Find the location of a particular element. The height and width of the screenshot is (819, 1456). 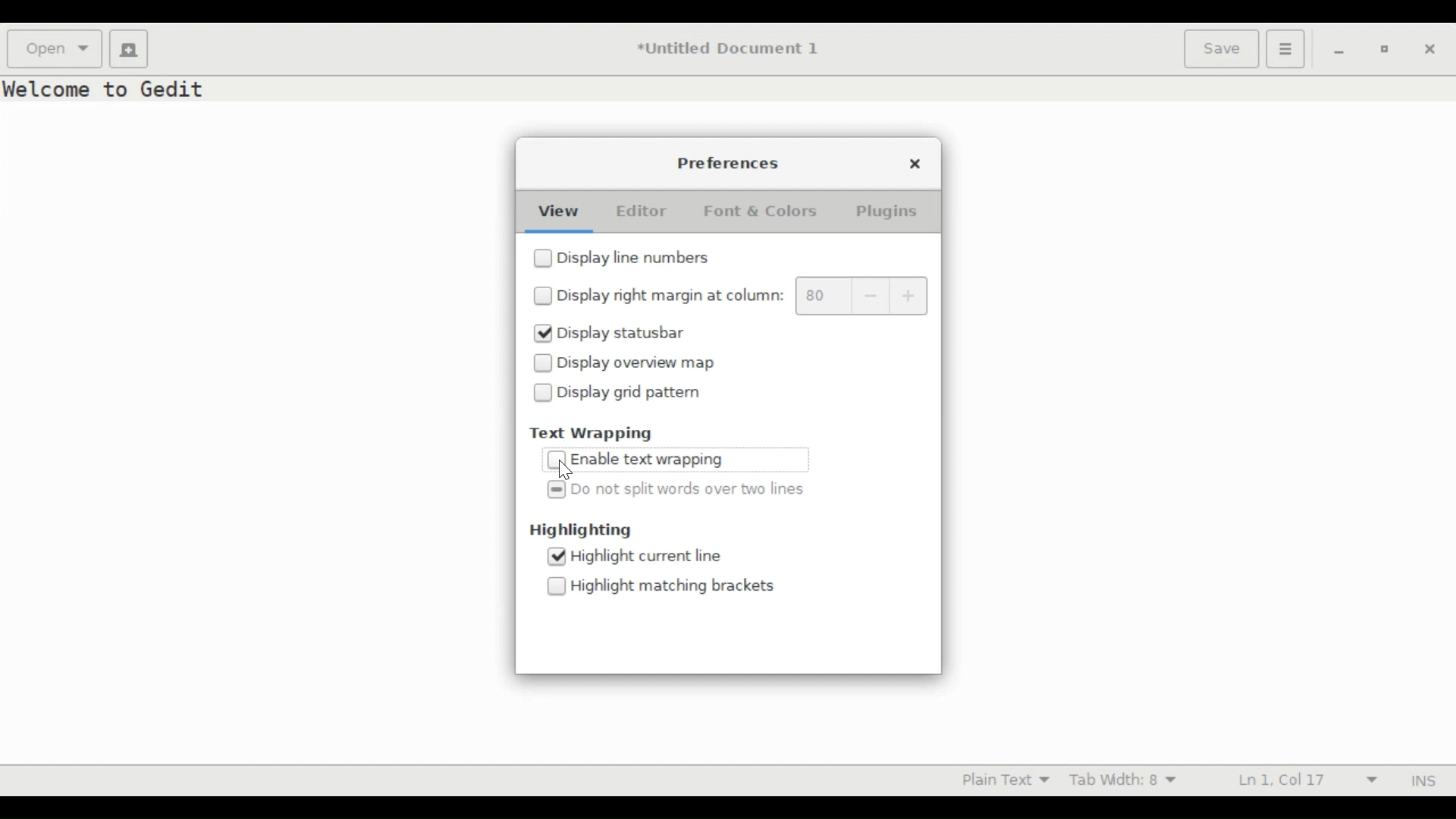

unchecked checkbox is located at coordinates (558, 460).